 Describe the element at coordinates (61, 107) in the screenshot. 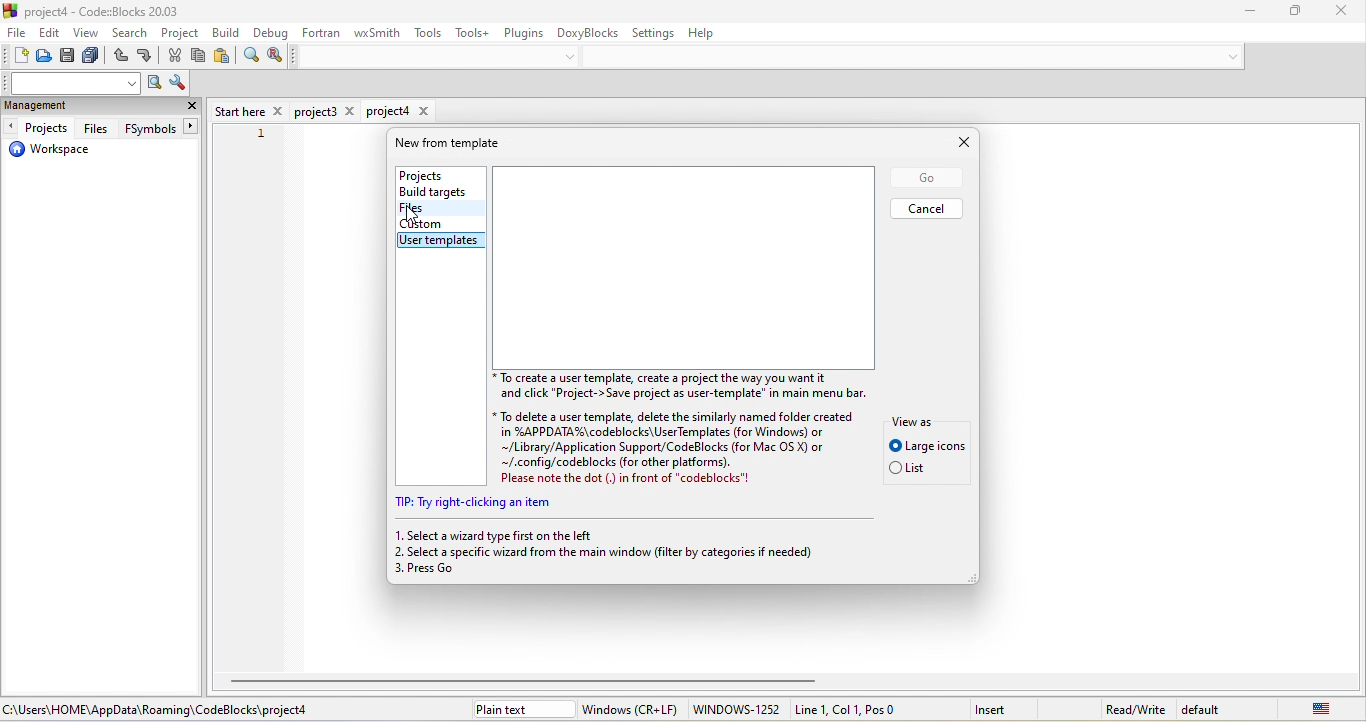

I see `management` at that location.